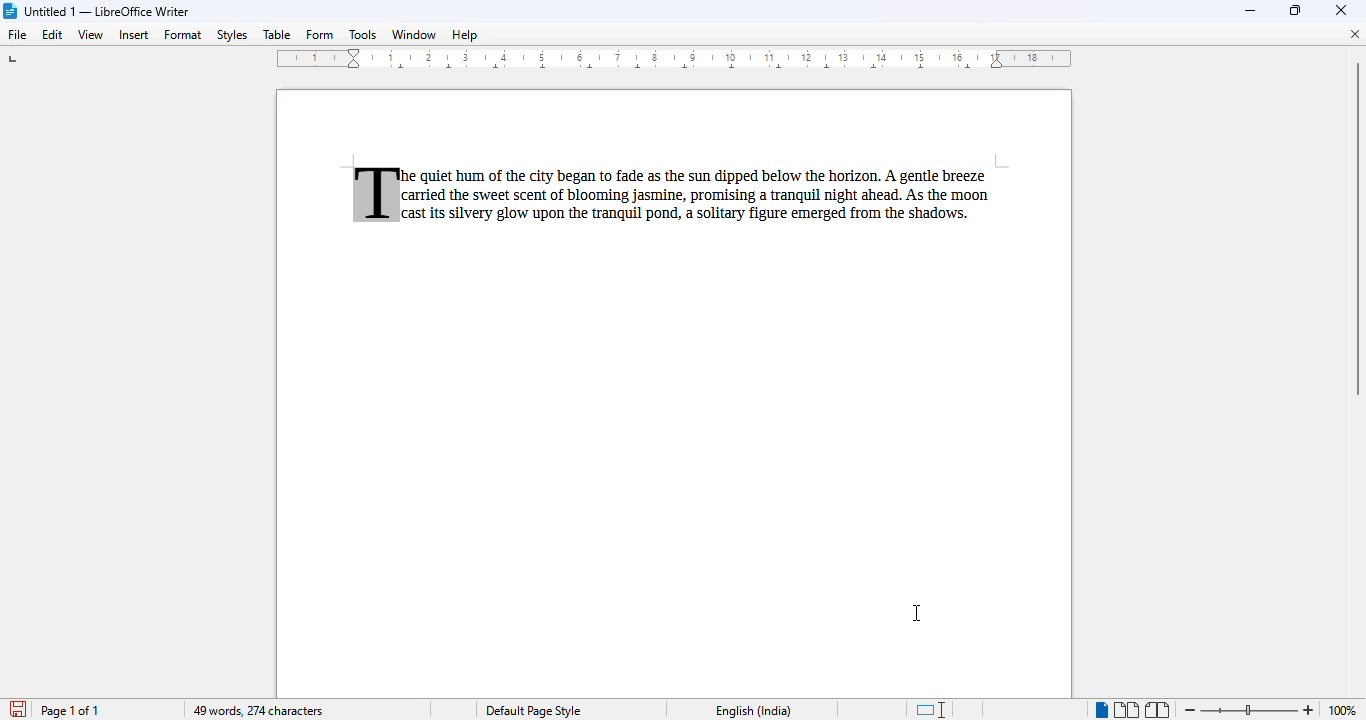 This screenshot has height=720, width=1366. What do you see at coordinates (1341, 9) in the screenshot?
I see `close` at bounding box center [1341, 9].